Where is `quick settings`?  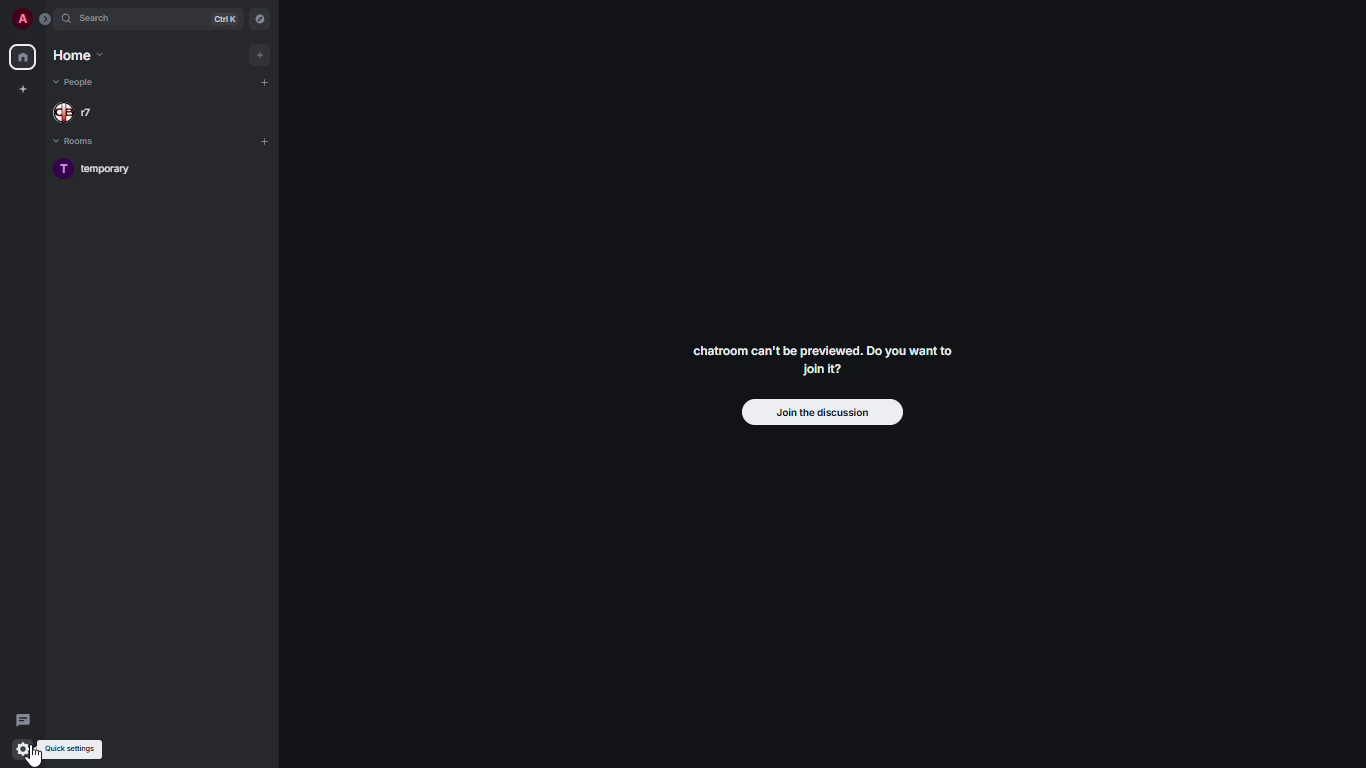 quick settings is located at coordinates (23, 748).